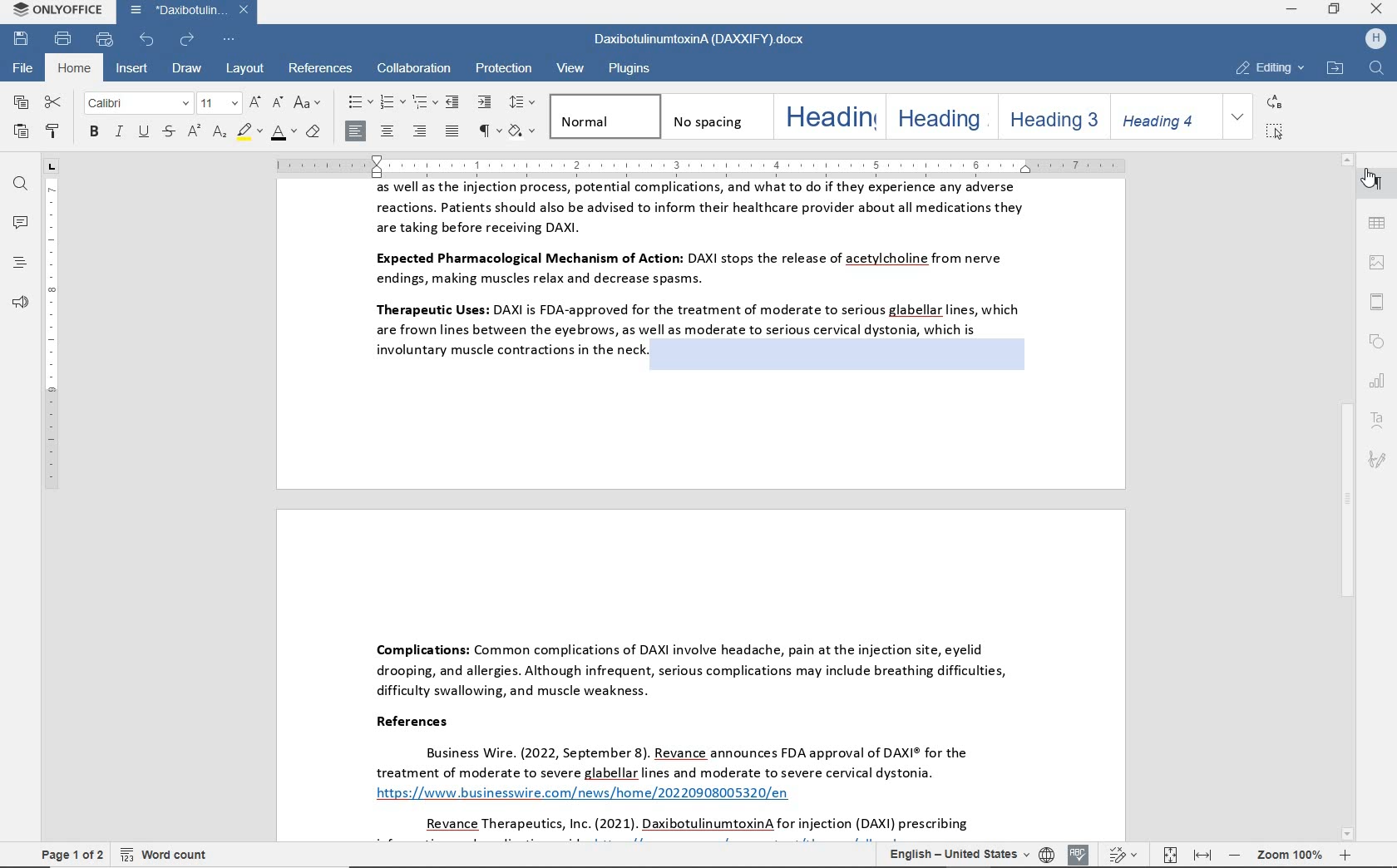  I want to click on chart, so click(1378, 379).